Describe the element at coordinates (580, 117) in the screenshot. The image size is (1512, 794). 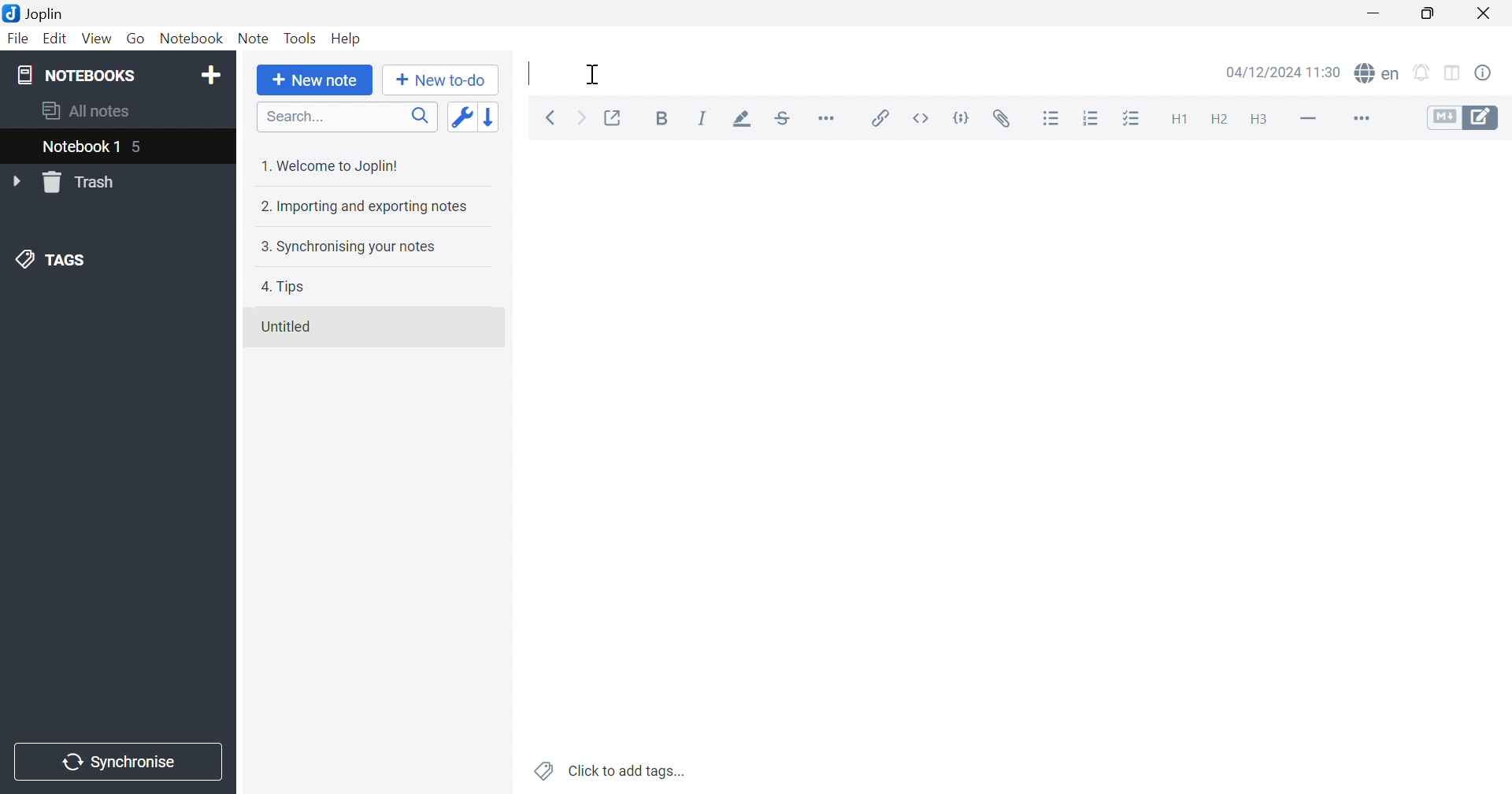
I see `Forward` at that location.